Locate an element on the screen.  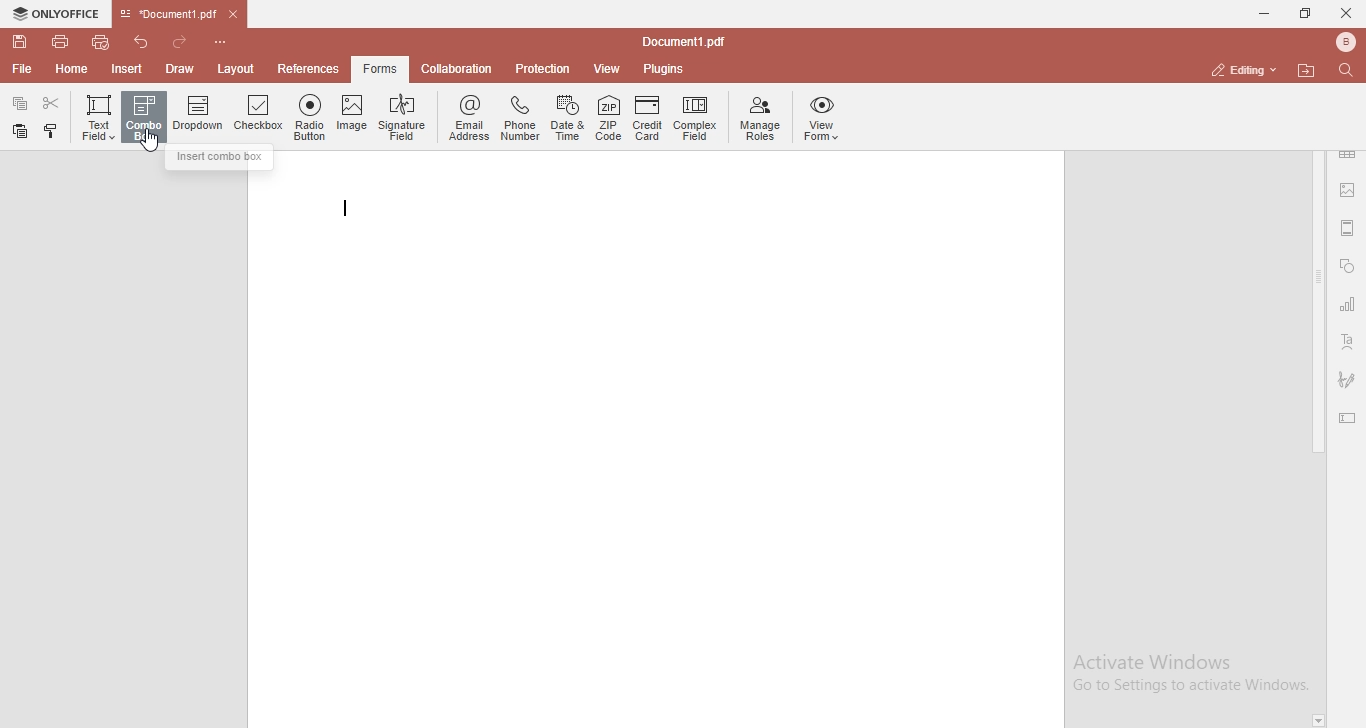
table is located at coordinates (1348, 157).